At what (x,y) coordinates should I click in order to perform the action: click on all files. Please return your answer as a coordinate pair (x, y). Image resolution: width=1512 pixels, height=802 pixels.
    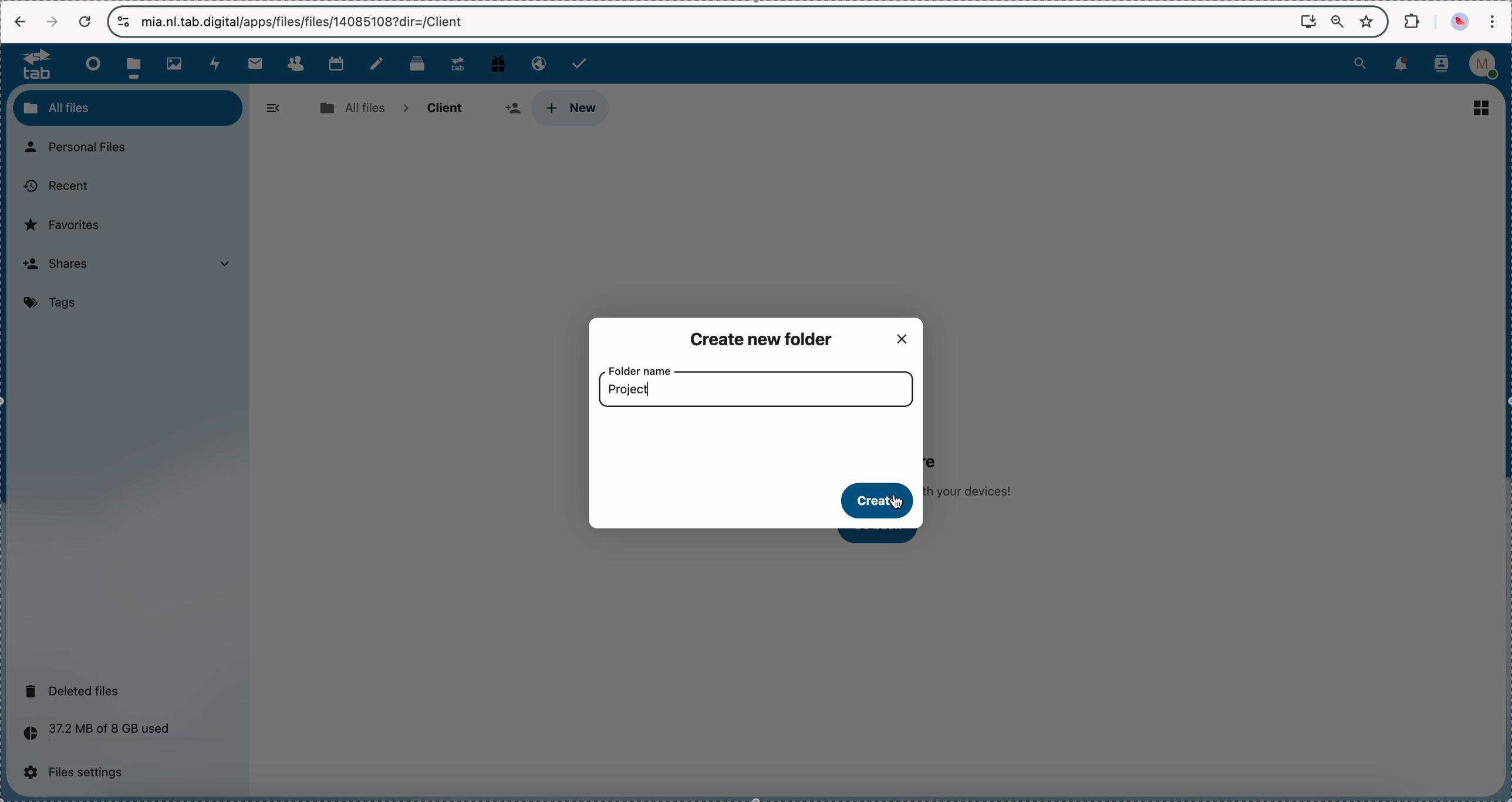
    Looking at the image, I should click on (352, 108).